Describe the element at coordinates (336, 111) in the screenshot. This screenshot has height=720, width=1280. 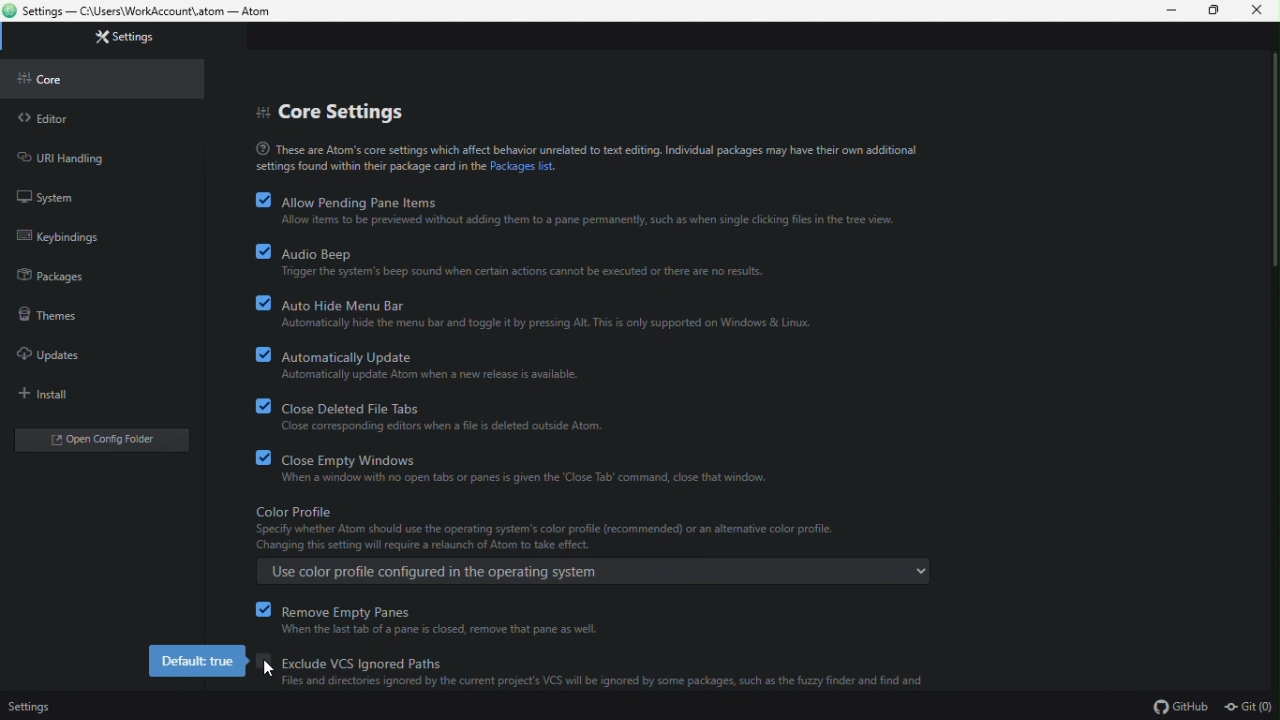
I see `core settings` at that location.